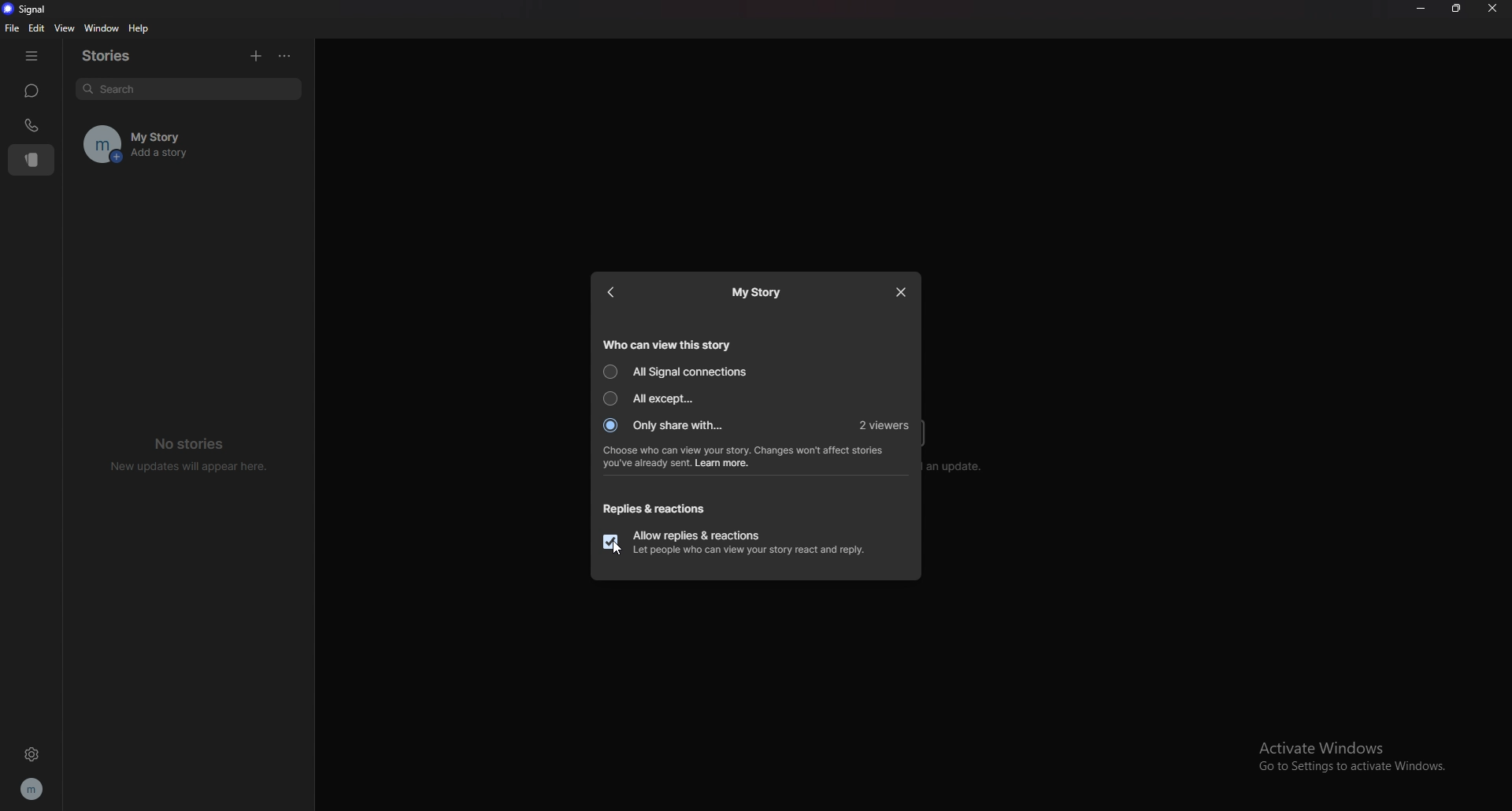 The image size is (1512, 811). What do you see at coordinates (256, 56) in the screenshot?
I see `add story` at bounding box center [256, 56].